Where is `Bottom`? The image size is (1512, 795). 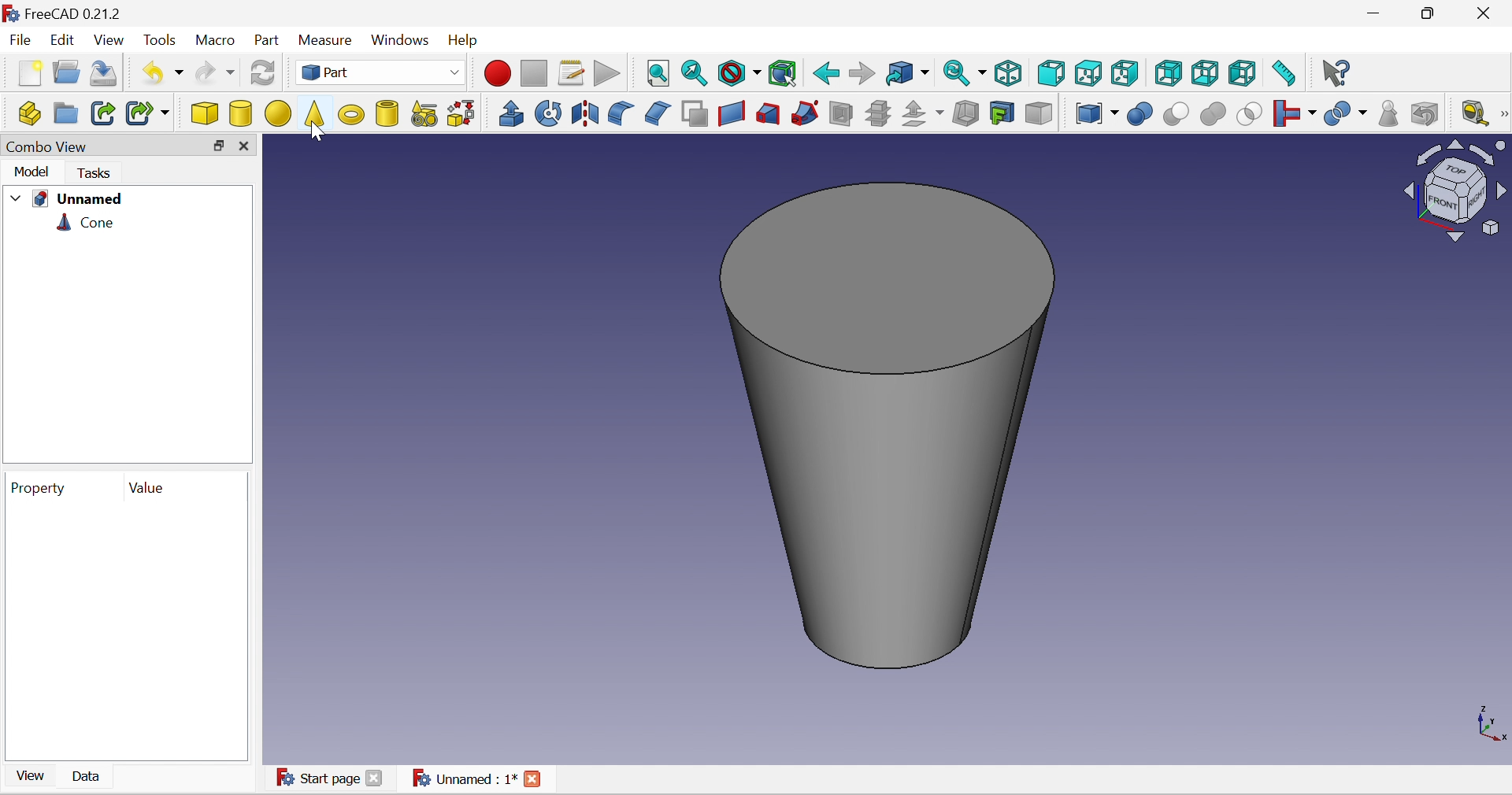 Bottom is located at coordinates (1205, 74).